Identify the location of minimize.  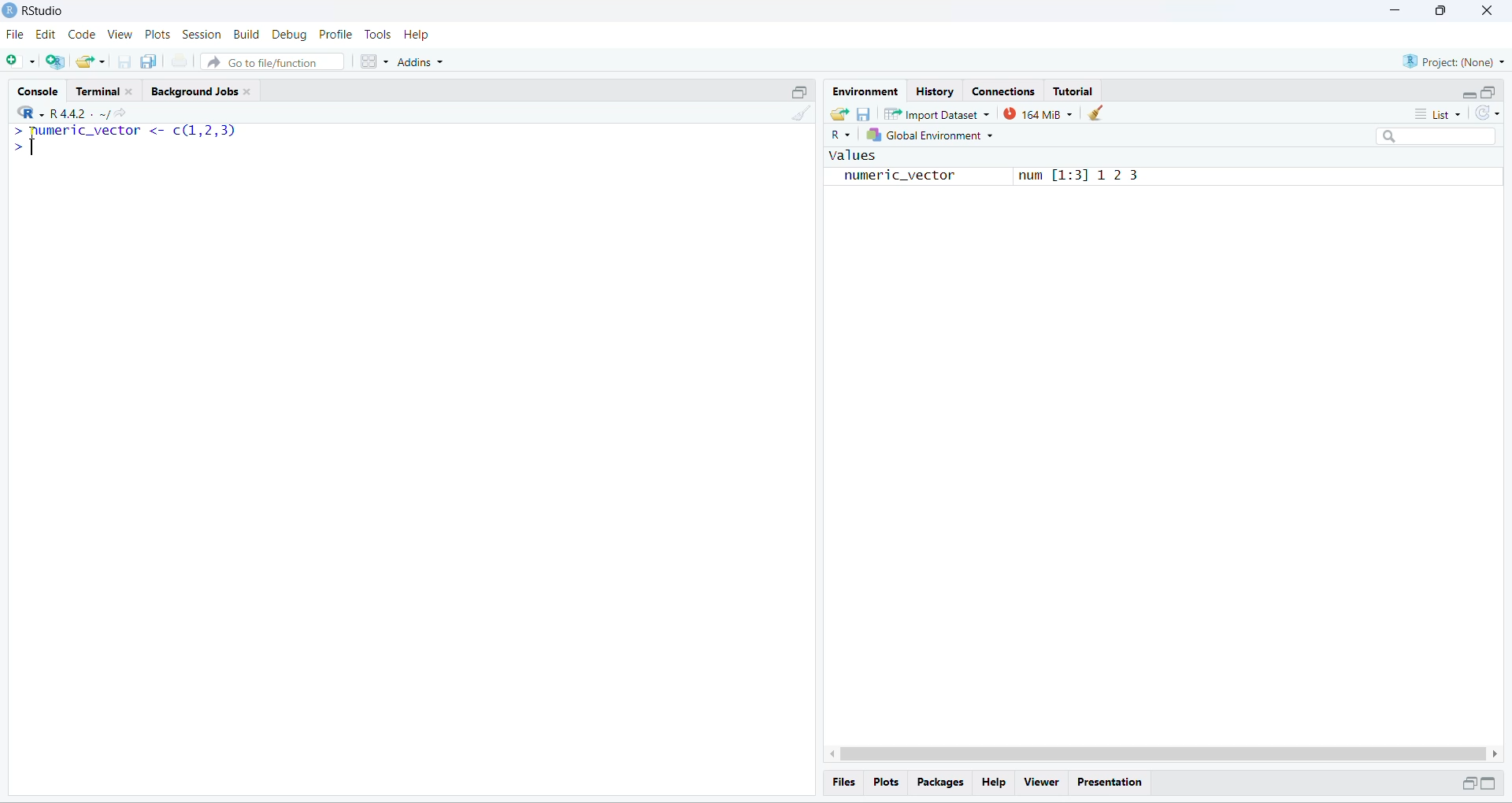
(1392, 10).